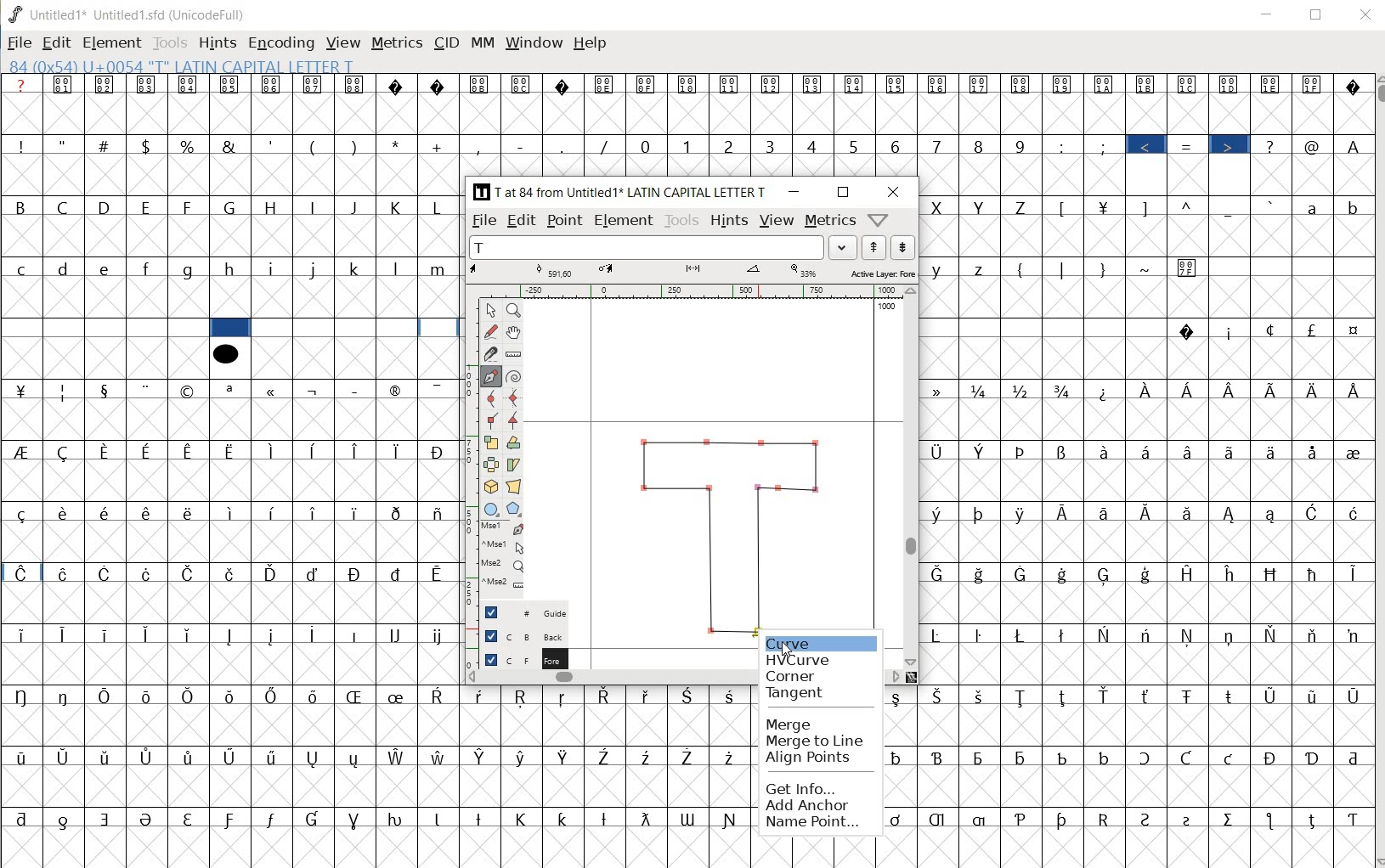 The image size is (1385, 868). I want to click on Symbol, so click(1314, 513).